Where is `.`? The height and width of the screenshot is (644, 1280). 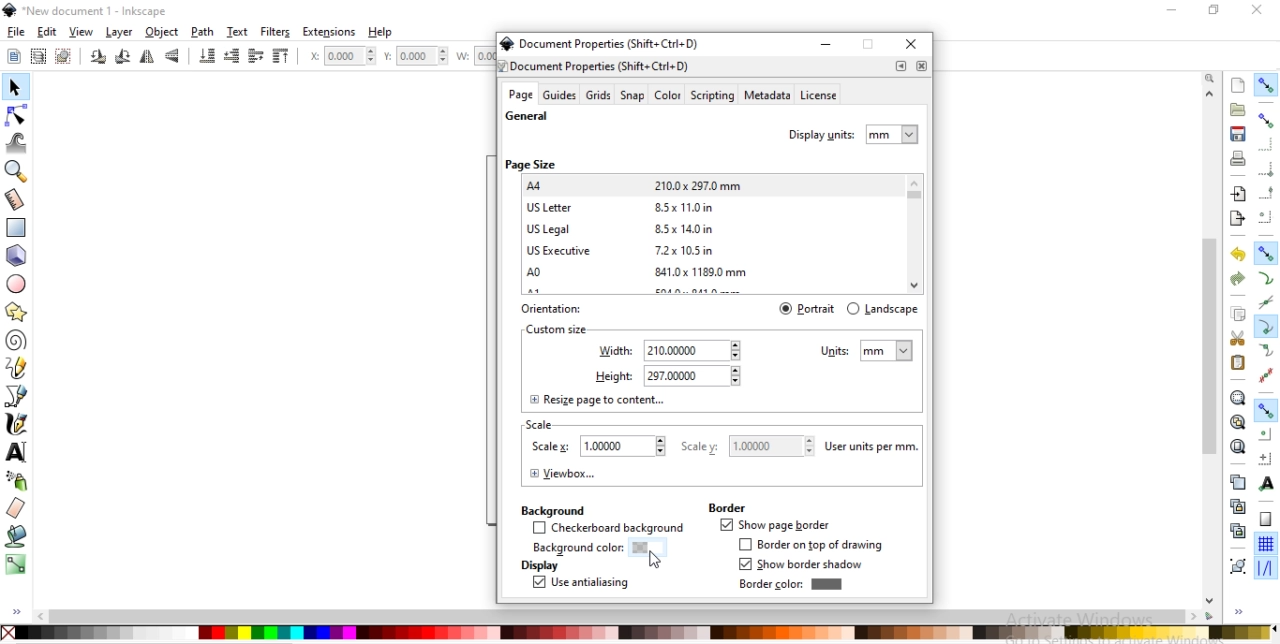
. is located at coordinates (901, 66).